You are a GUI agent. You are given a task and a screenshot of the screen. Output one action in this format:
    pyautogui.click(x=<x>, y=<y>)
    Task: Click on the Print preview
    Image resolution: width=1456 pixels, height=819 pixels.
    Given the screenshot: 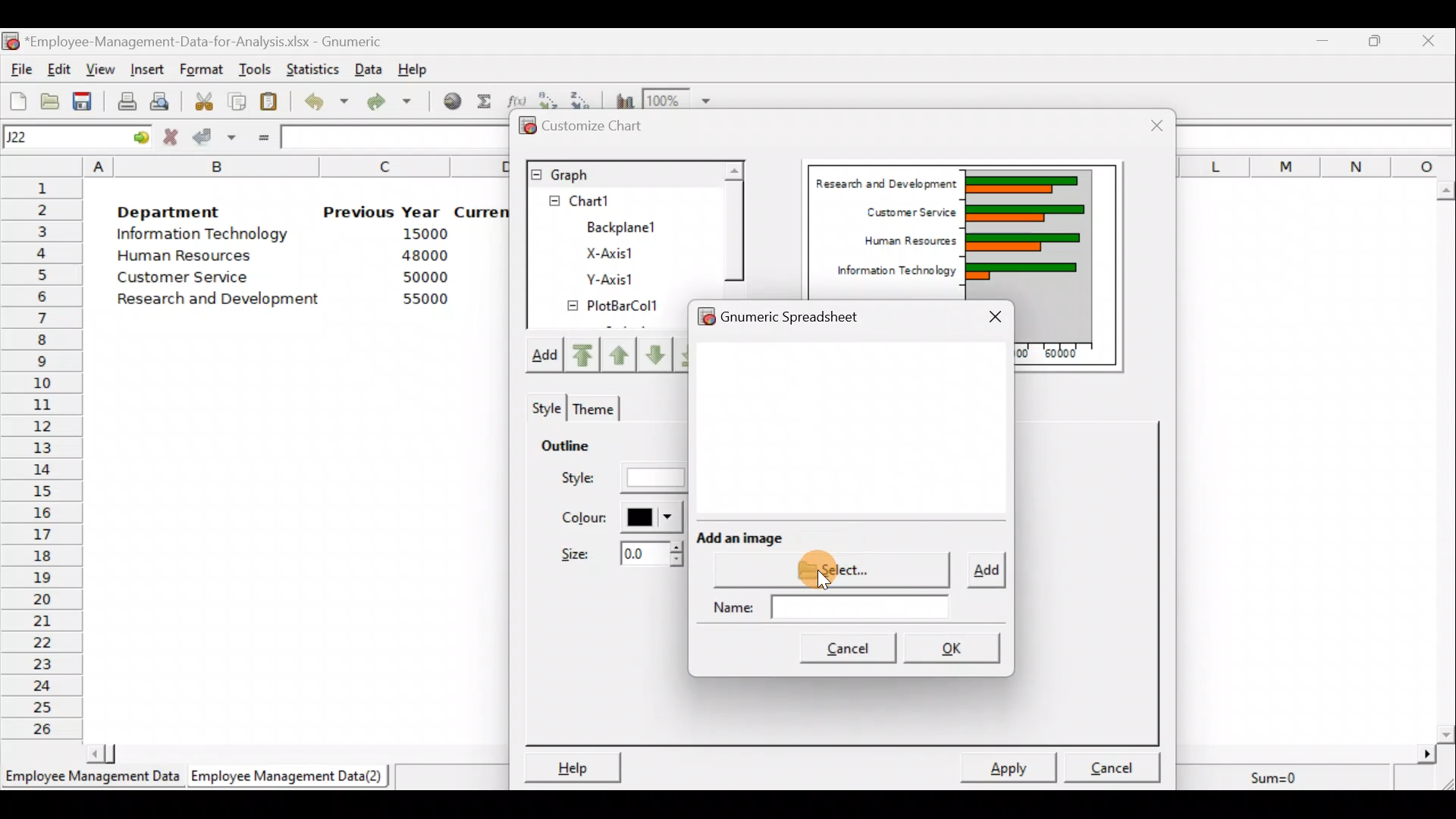 What is the action you would take?
    pyautogui.click(x=161, y=101)
    